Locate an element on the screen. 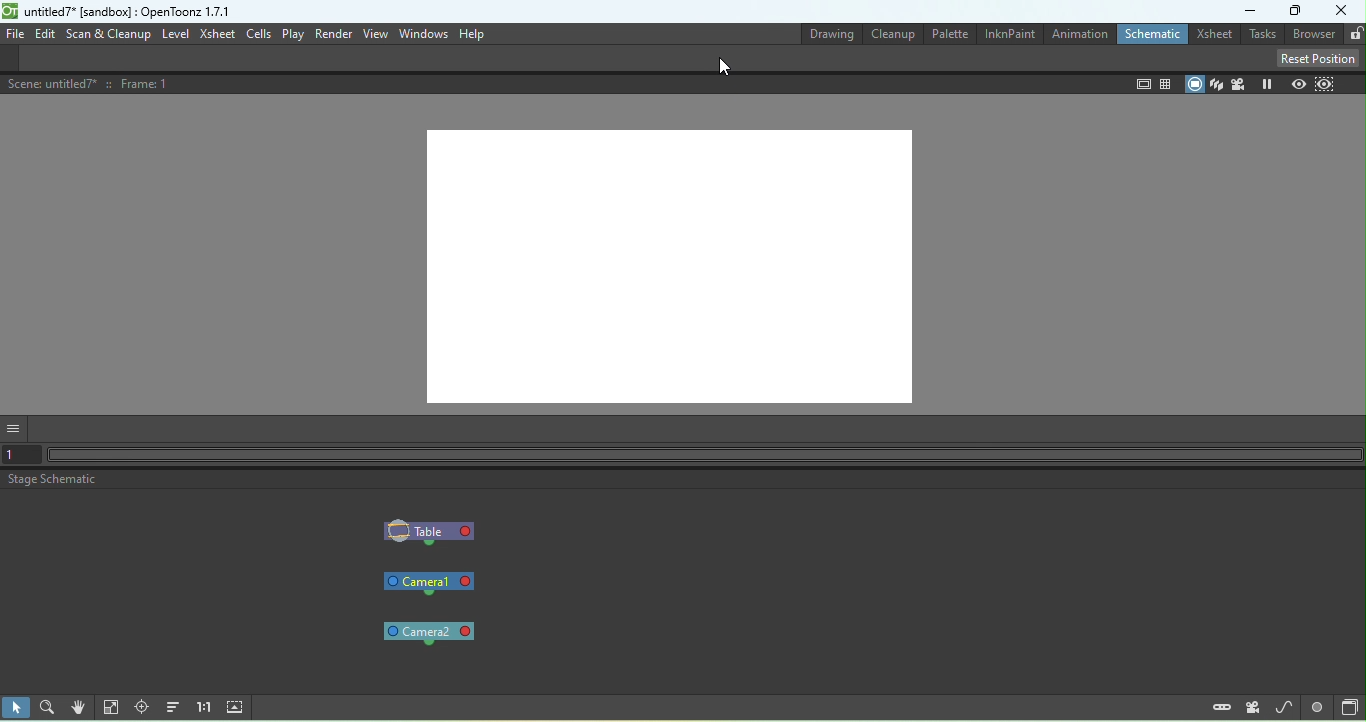  Zoom mode is located at coordinates (51, 706).